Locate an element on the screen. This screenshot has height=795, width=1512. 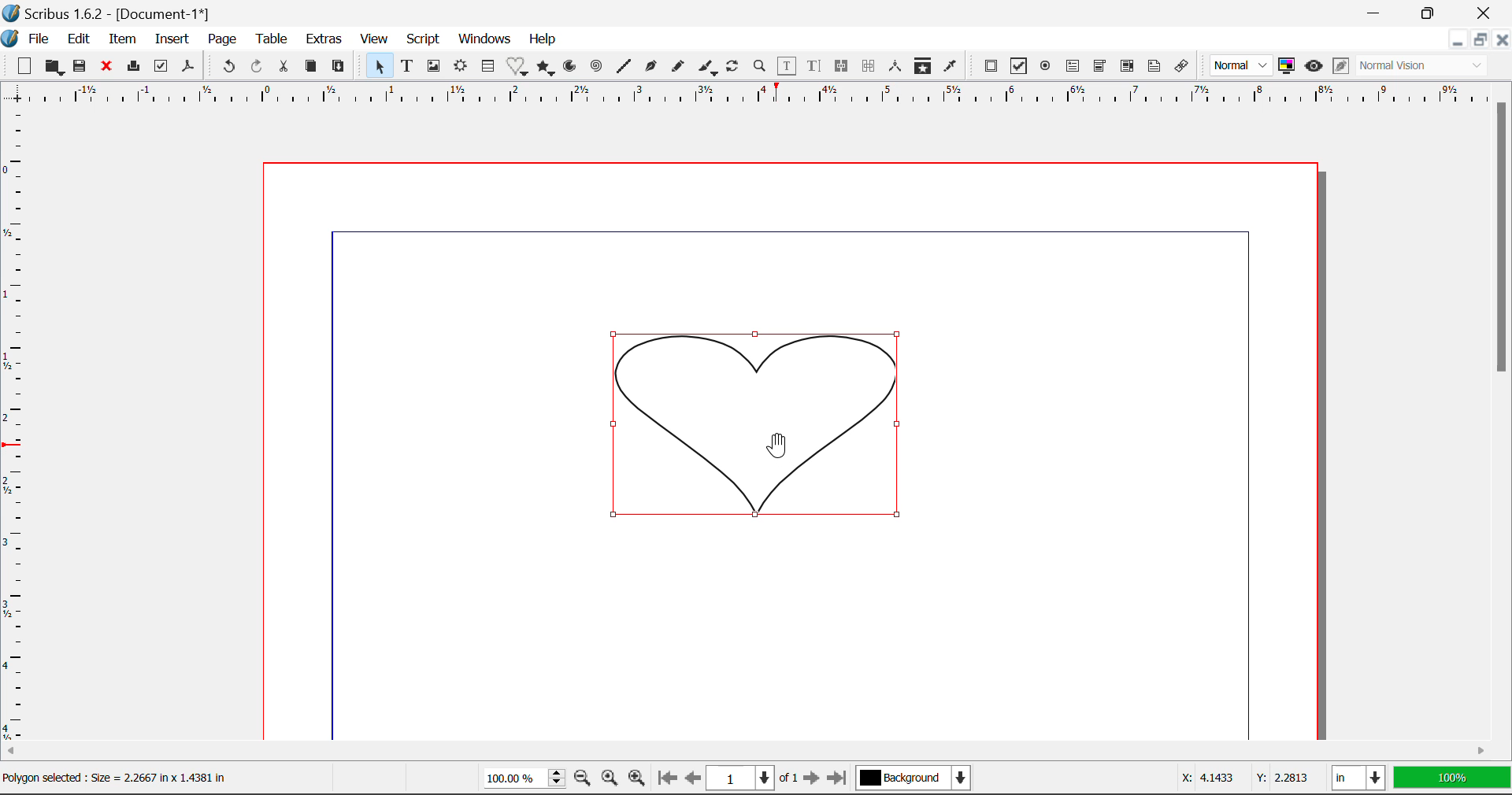
Next is located at coordinates (813, 779).